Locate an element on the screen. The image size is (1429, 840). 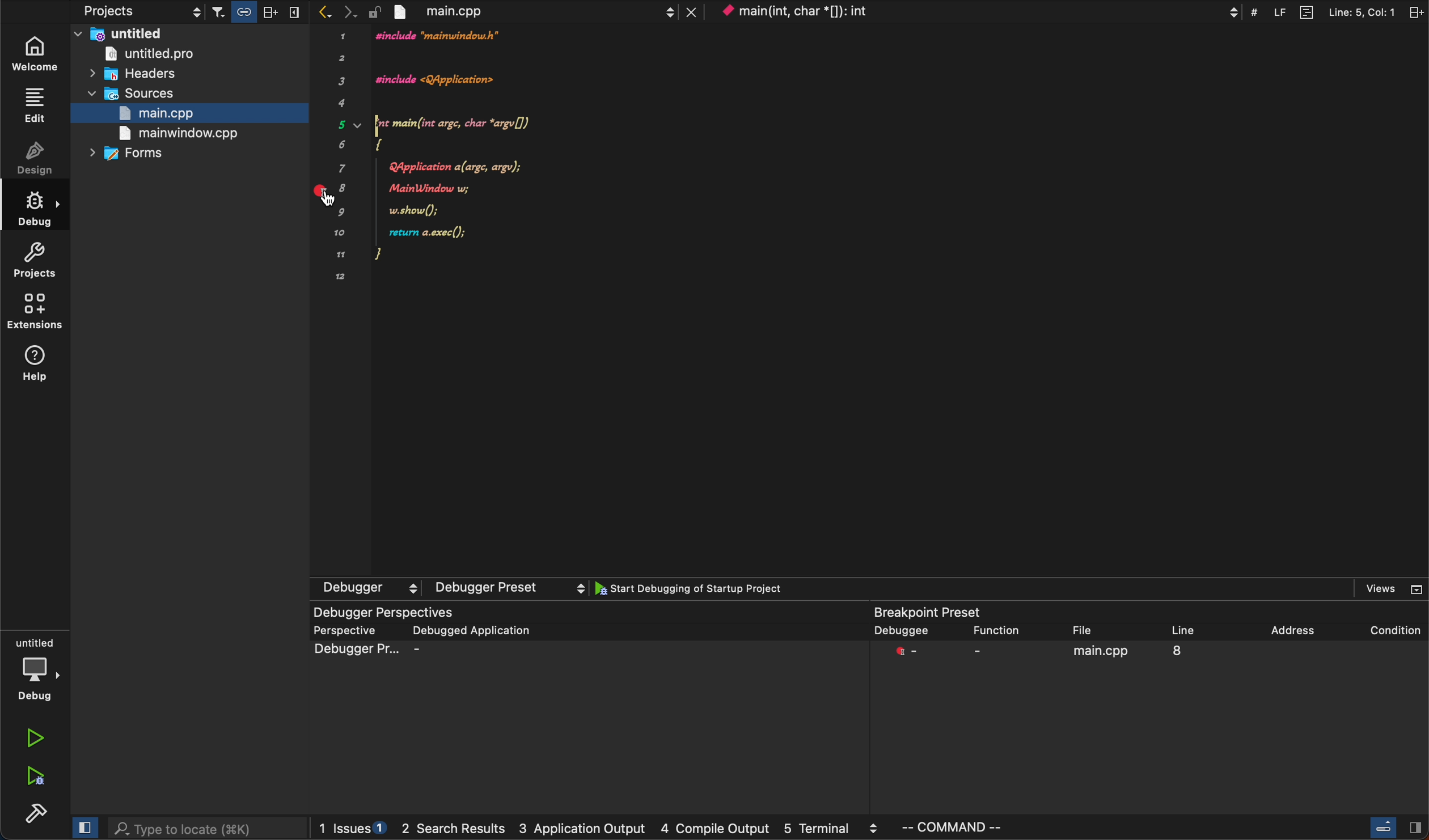
debugger perspective is located at coordinates (587, 707).